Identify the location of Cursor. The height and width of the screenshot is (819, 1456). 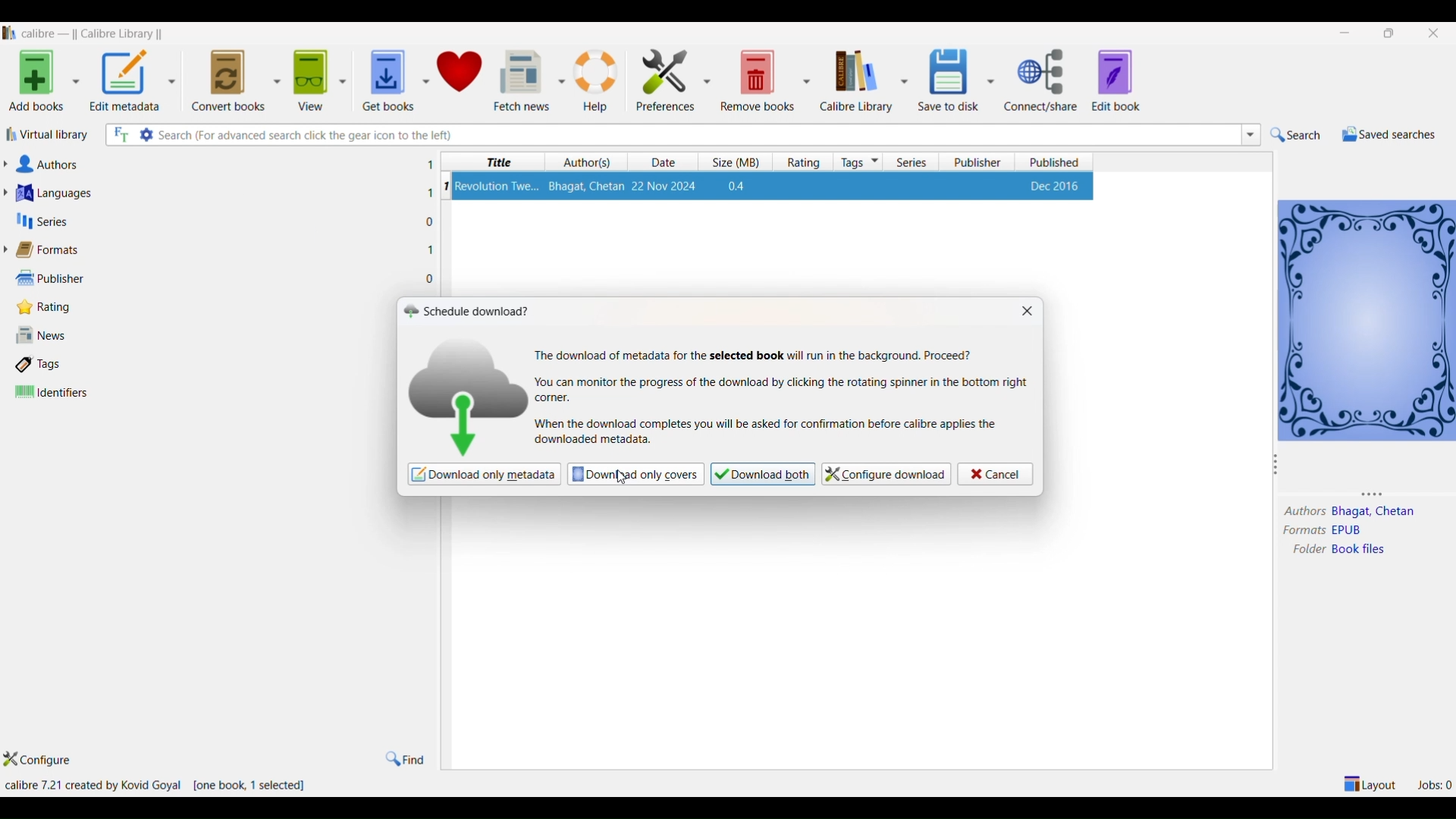
(620, 475).